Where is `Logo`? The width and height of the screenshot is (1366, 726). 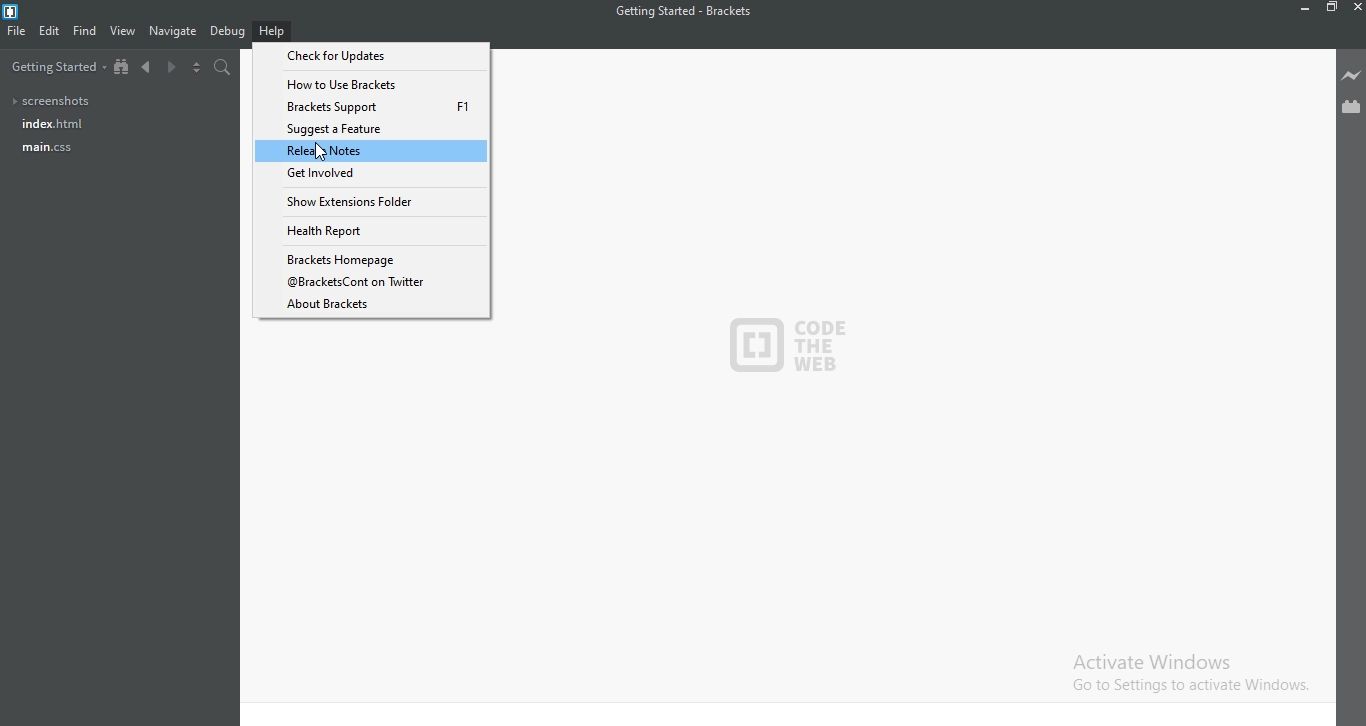
Logo is located at coordinates (15, 12).